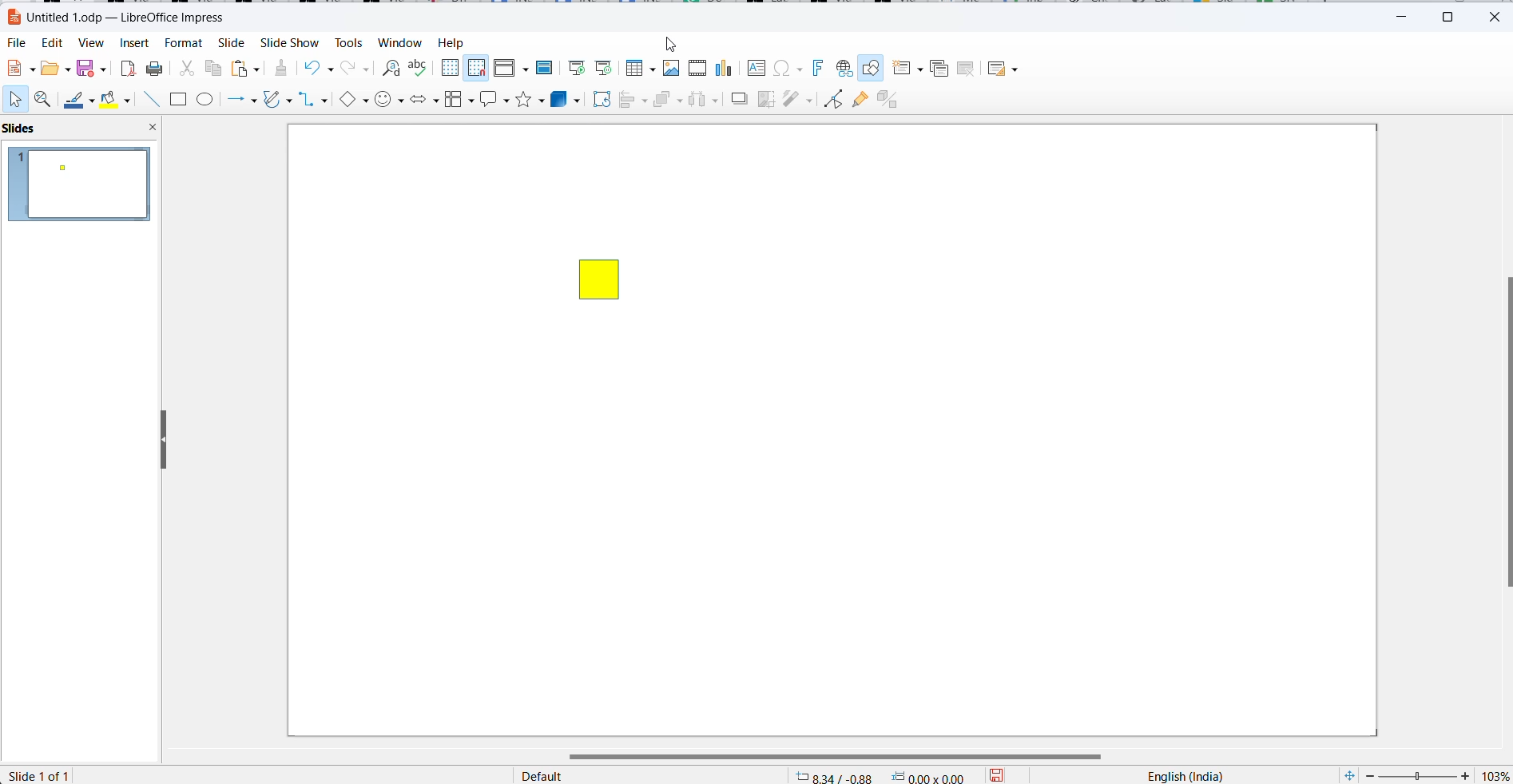 This screenshot has width=1513, height=784. I want to click on Toggle extrusion, so click(892, 100).